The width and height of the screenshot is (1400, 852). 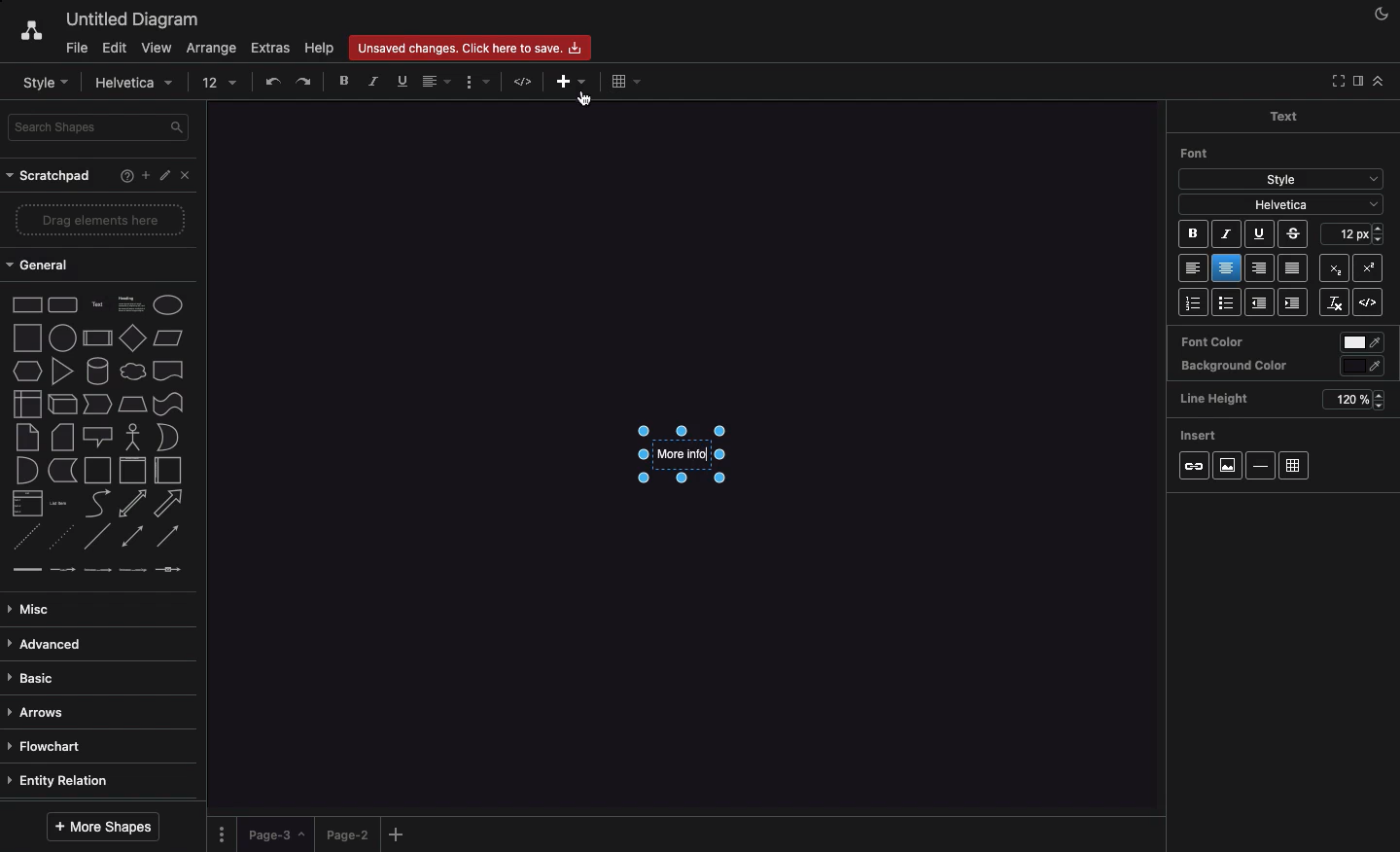 What do you see at coordinates (1221, 396) in the screenshot?
I see `Line height` at bounding box center [1221, 396].